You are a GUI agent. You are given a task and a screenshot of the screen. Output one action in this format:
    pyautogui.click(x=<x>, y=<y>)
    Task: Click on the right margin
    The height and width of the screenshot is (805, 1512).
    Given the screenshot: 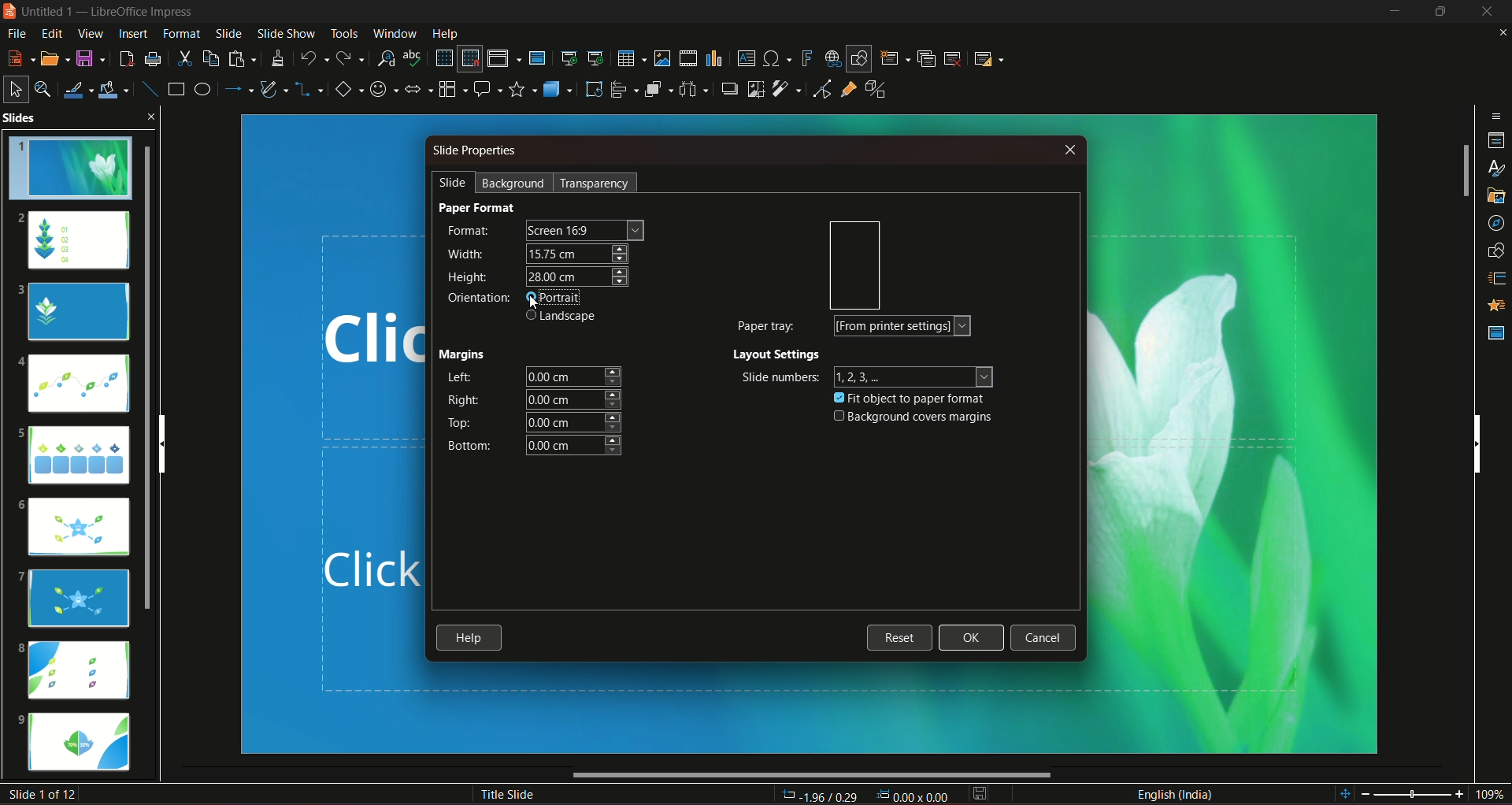 What is the action you would take?
    pyautogui.click(x=574, y=399)
    